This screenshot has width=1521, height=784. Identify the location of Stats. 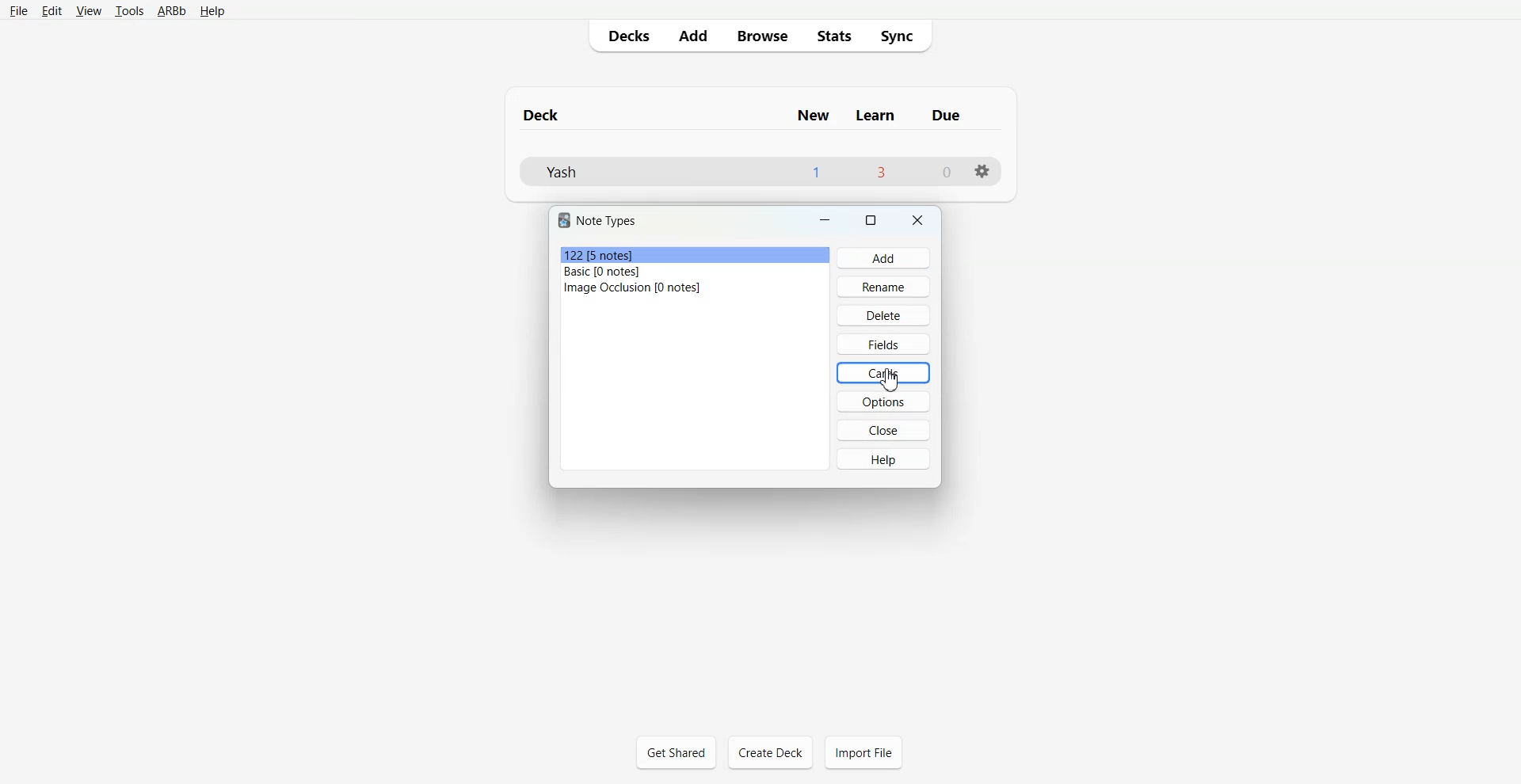
(836, 35).